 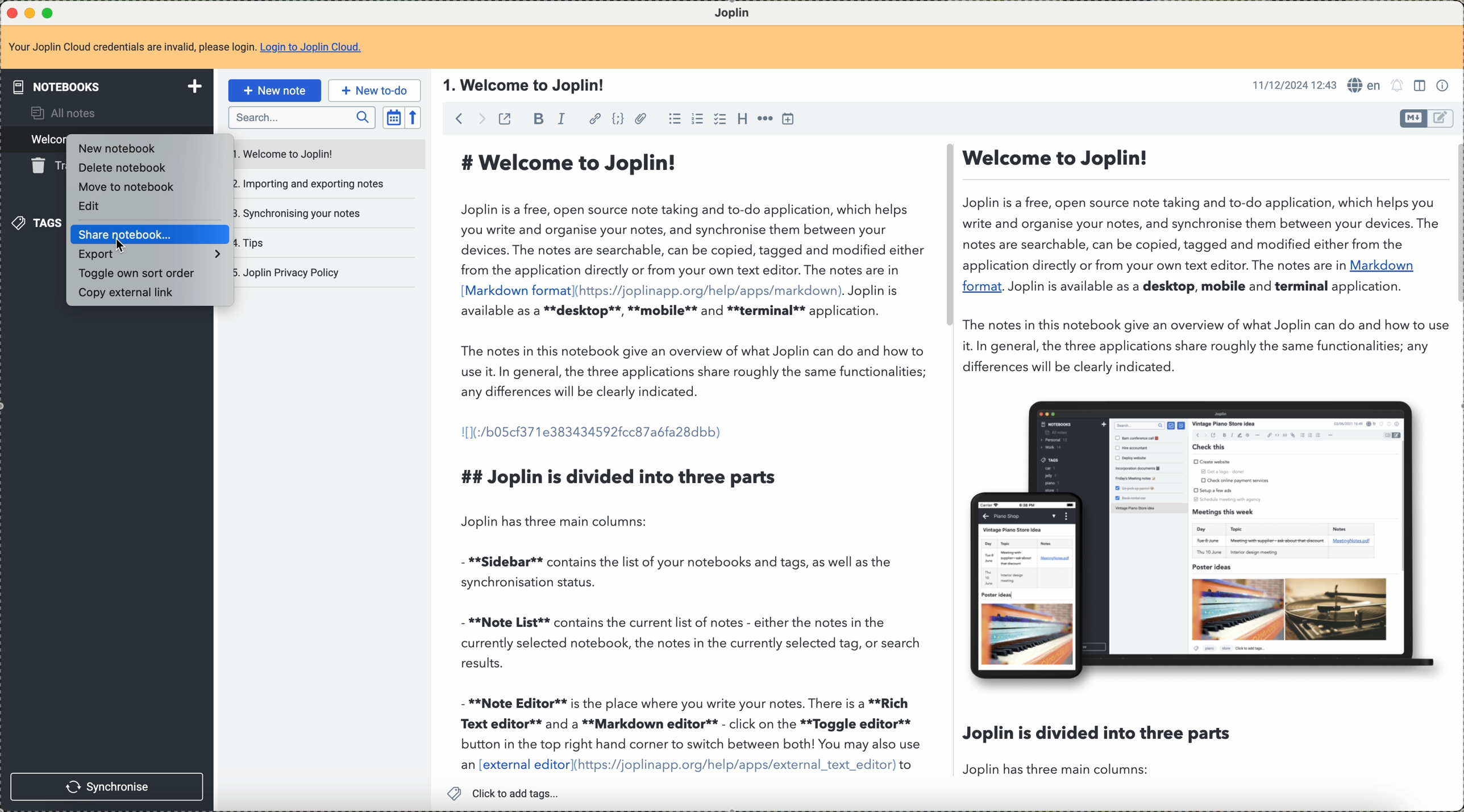 I want to click on # Welcome to Joplin!

Joplin is a free, open source note taking and to-do application, which helps
you write and organise your notes, and synchronise them between your
devices. The notes are searchable, can be copied, tagged and modified either
from the application directly or from your own text editor. The notes are in
[Markdown format|(https://joplinapp.org/help/apps/markdown). Joplin is
available as a **desktop**, **mobile** and **terminal** application.

The notes in this notebook give an overview of what Joplin can do and how to
use it. In general, the three applications share roughly the same functionalities;
any differences will be clearly indicated.
I[(:/b05cf371e383434592fcc87a6fa28dbb)

## Joplin is divided into three parts

Joplin has three main columns:

- **Sidebar** contains the list of your notebooks and tags, as well as the
synchronisation status.

- **Note List** contains the current list of notes - either the notes in the
currently selected notebook, the notes in the currently selected tag, or search
results.

- **Note Editor** is the place where you write your notes. There is a **Rich
Text editor** and a **Markdown editor** - click on the **Toggle editor**
button in the top right hand corner to switch between both! You may also use
an lexternal editor!(https://ioplinapp.ora/help/apps/external text editor) to, so click(x=692, y=460).